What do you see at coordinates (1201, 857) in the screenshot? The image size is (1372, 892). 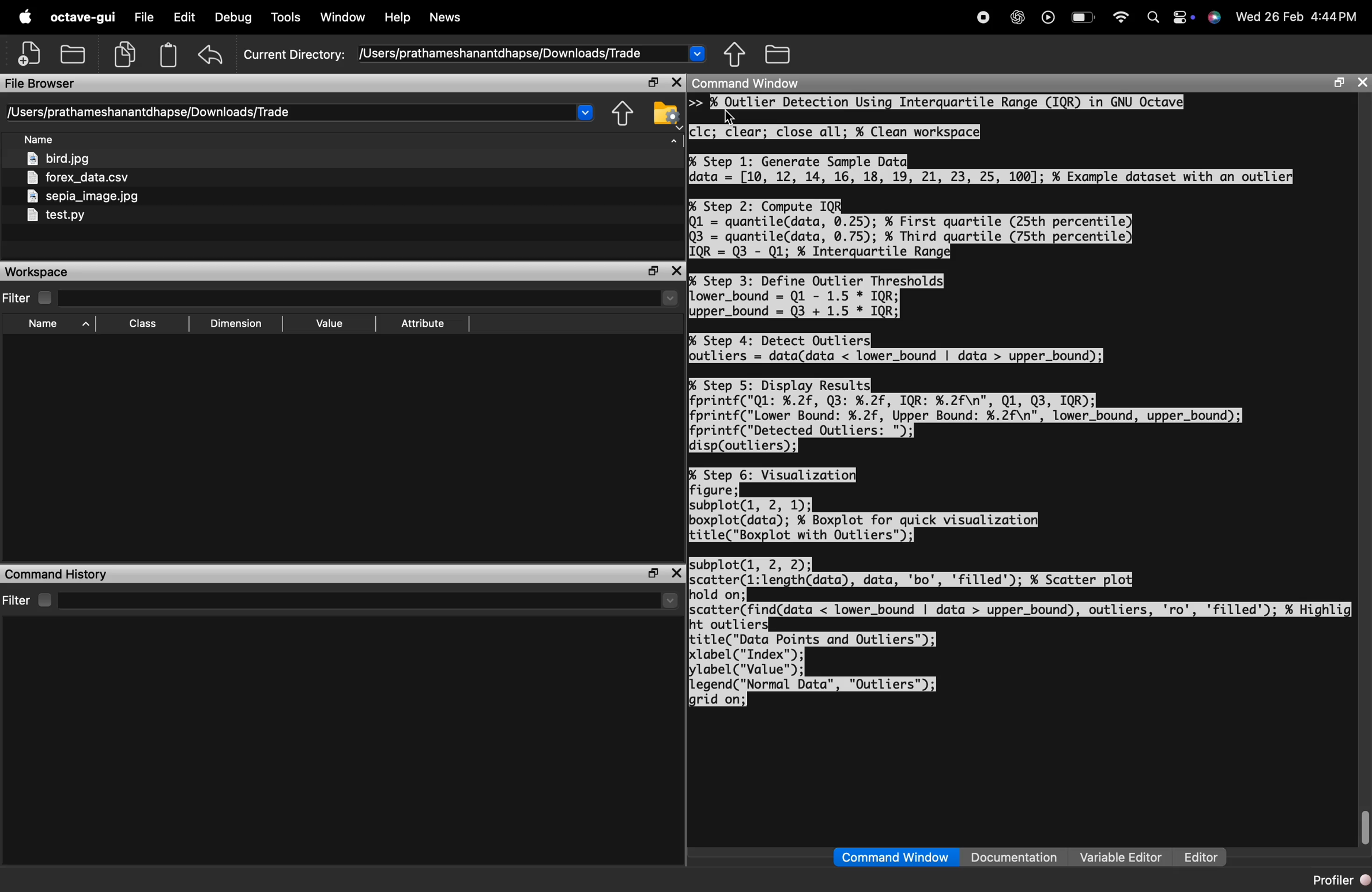 I see `Editor` at bounding box center [1201, 857].